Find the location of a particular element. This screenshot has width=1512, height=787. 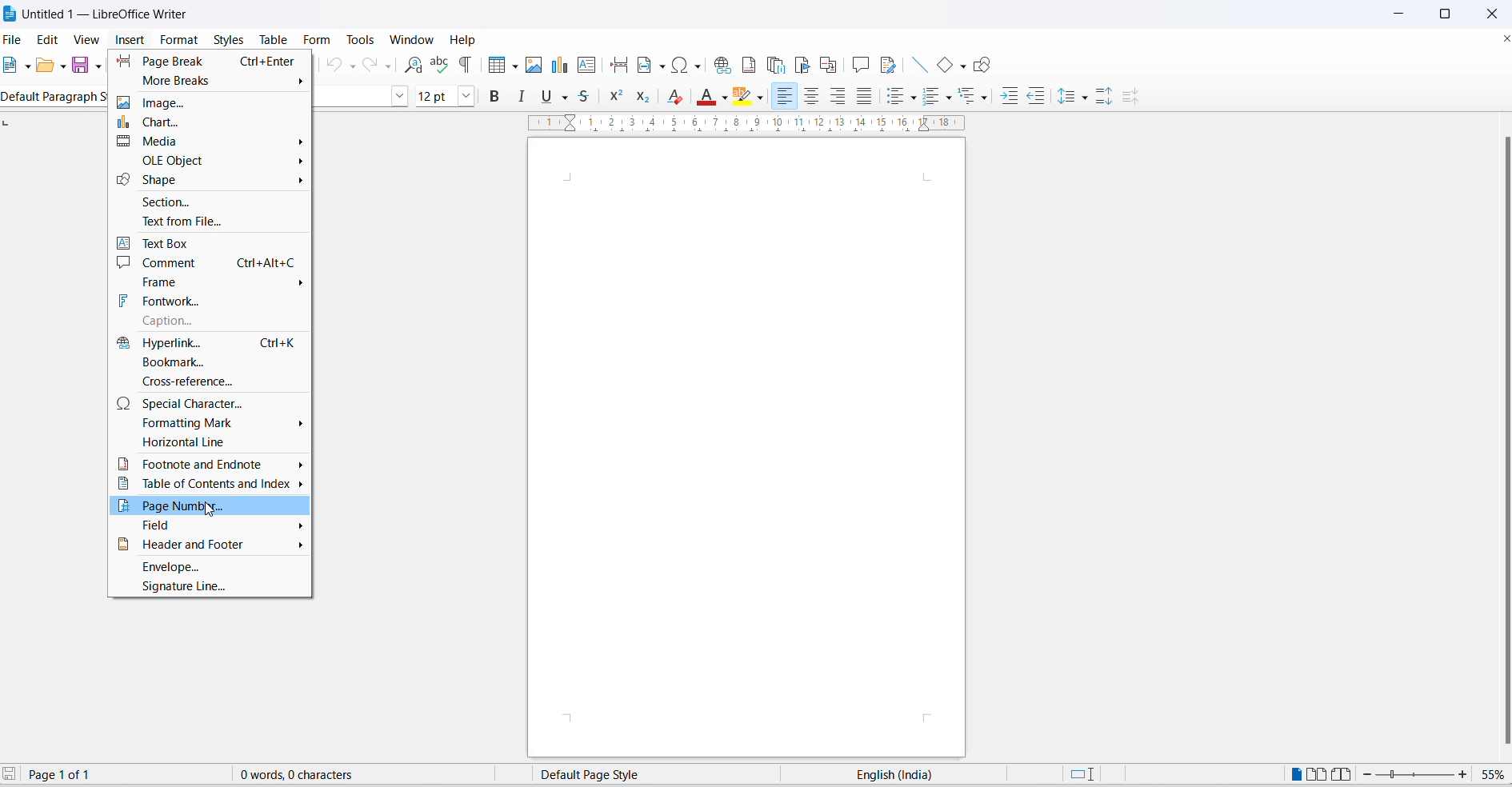

line spacing options is located at coordinates (1086, 98).